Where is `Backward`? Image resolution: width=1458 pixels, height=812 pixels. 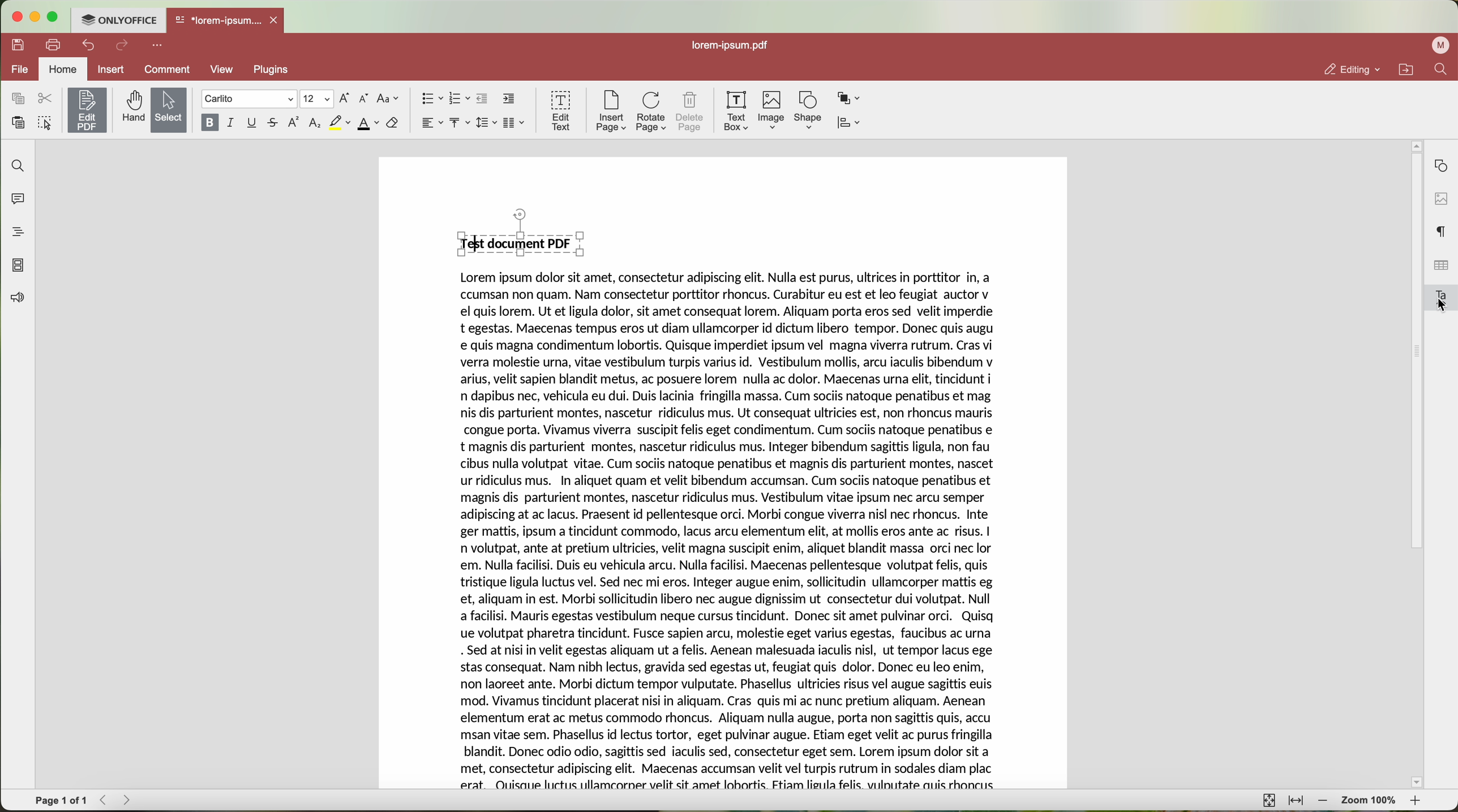
Backward is located at coordinates (105, 800).